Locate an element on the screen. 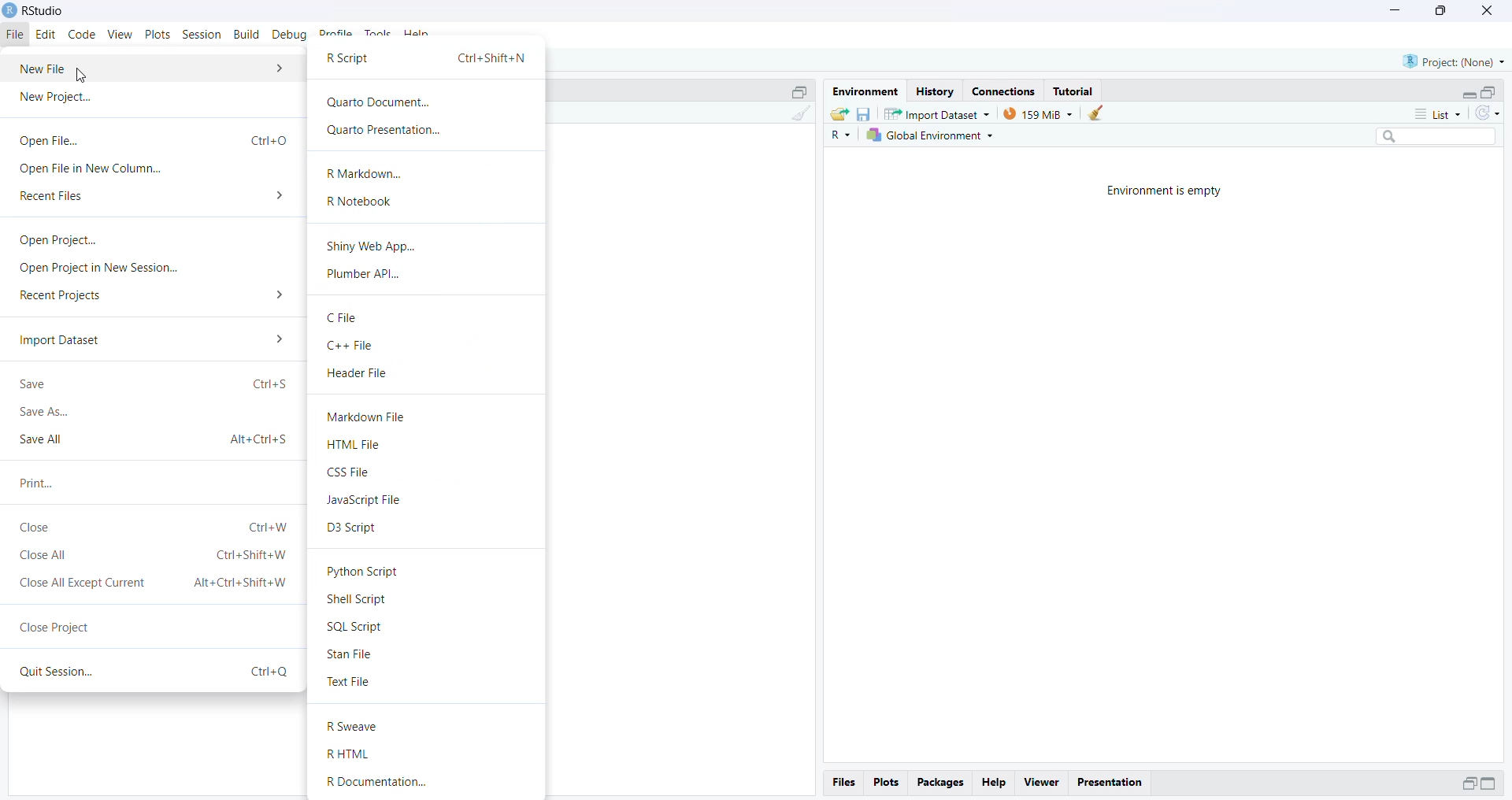  Import dataset is located at coordinates (936, 113).